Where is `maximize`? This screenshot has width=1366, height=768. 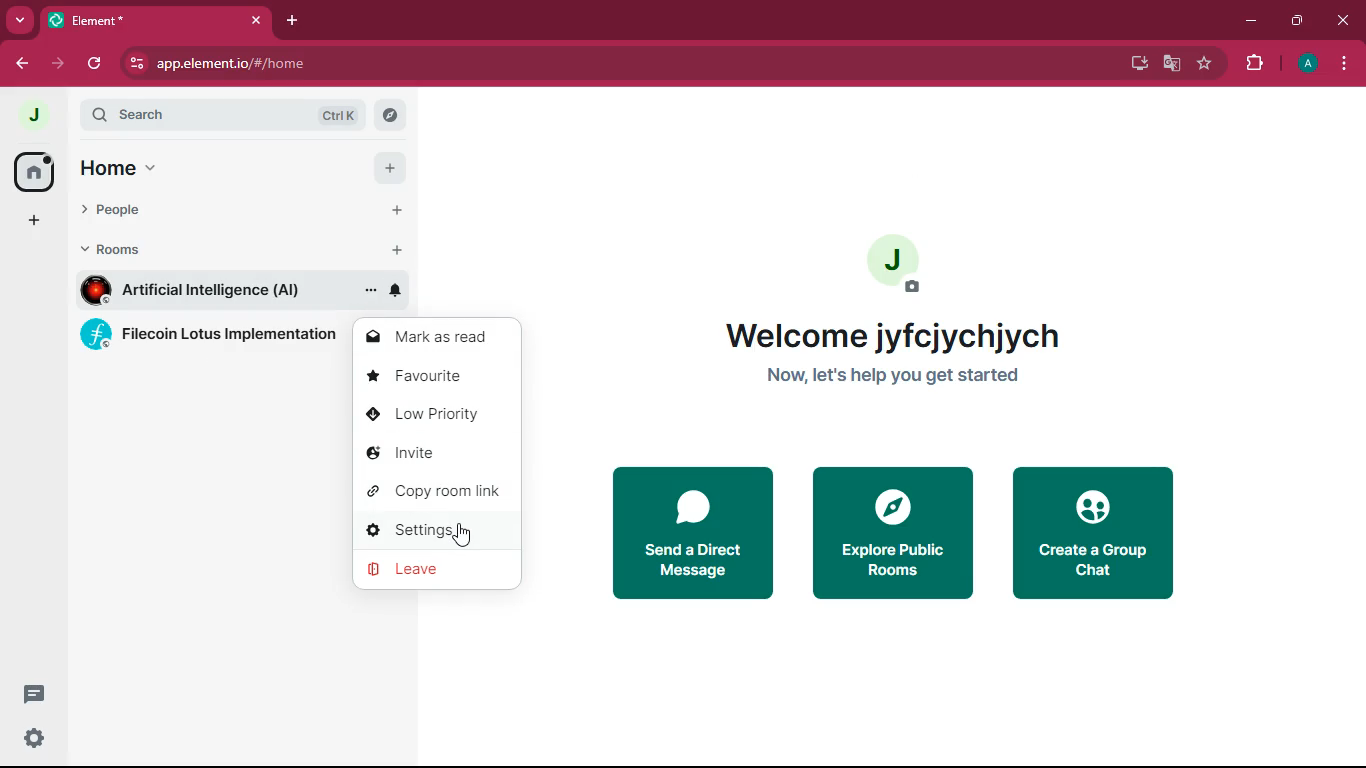 maximize is located at coordinates (1296, 22).